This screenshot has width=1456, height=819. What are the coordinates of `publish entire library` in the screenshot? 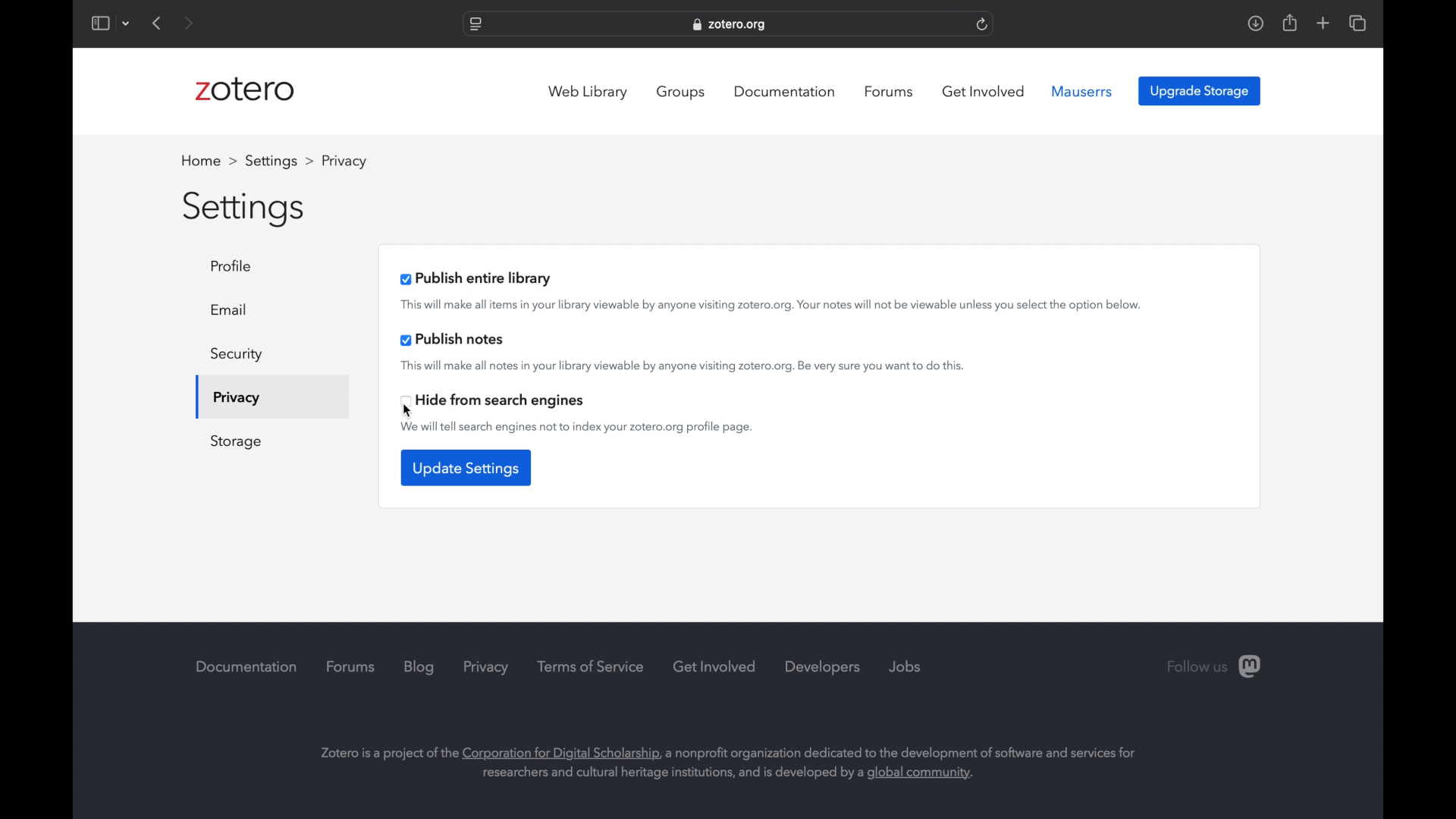 It's located at (477, 278).